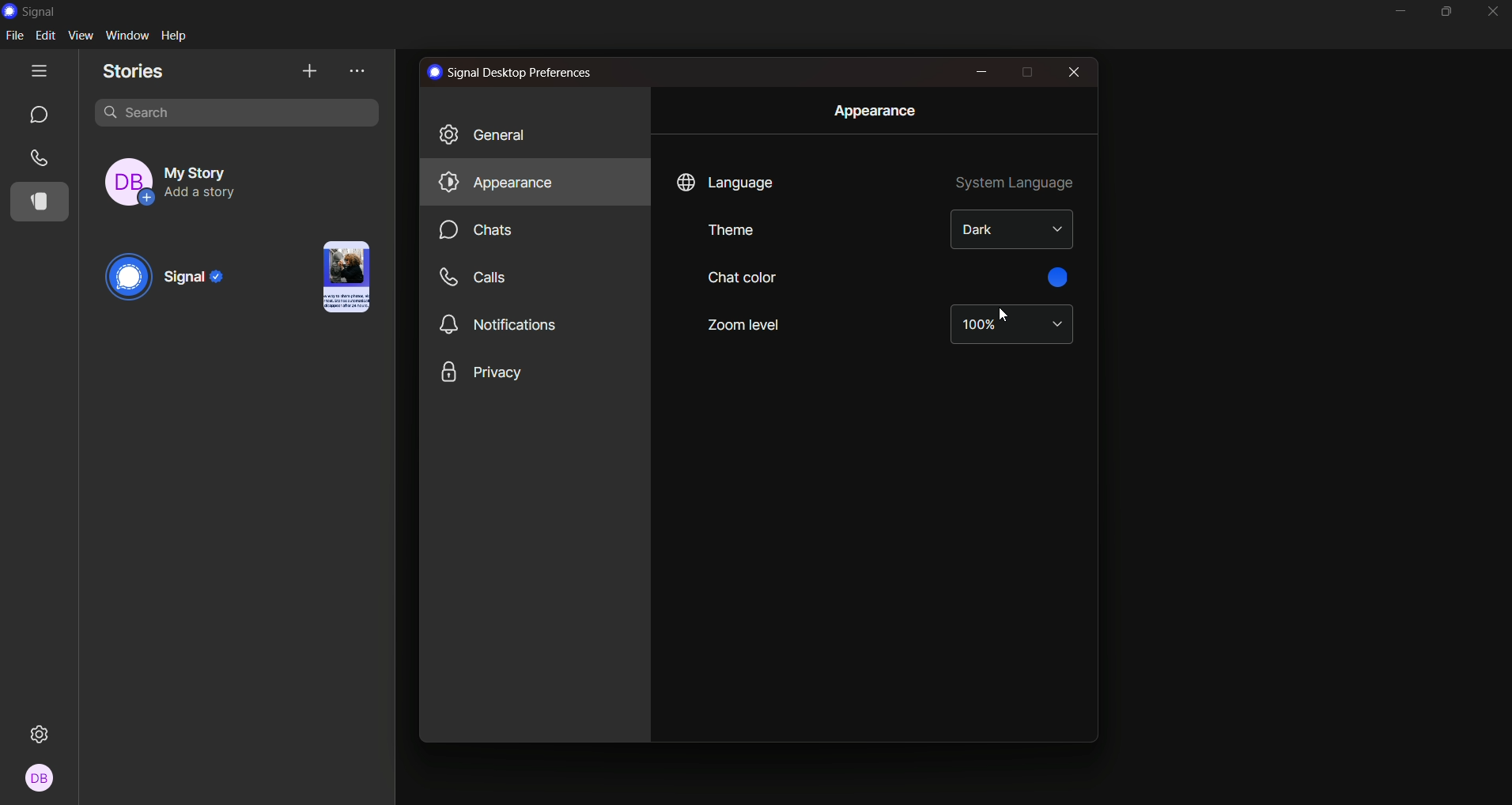 The width and height of the screenshot is (1512, 805). I want to click on stories, so click(44, 201).